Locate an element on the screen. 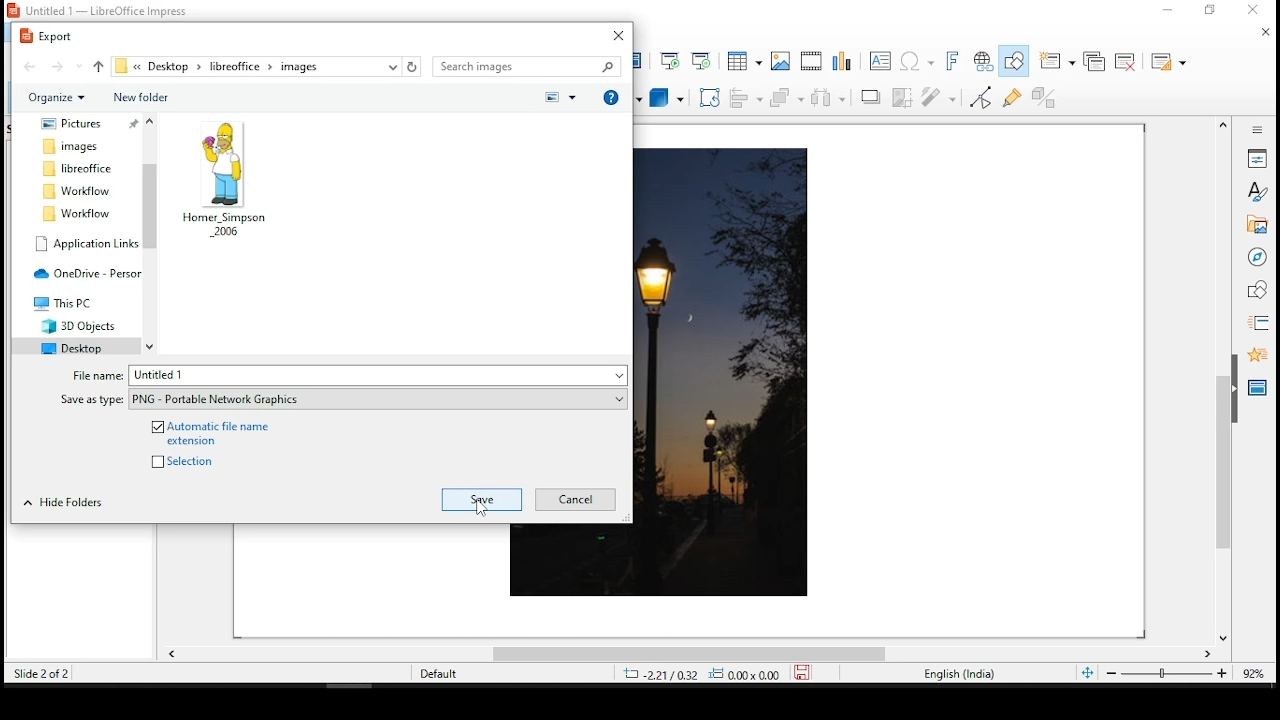 The image size is (1280, 720). start from first slide is located at coordinates (670, 60).